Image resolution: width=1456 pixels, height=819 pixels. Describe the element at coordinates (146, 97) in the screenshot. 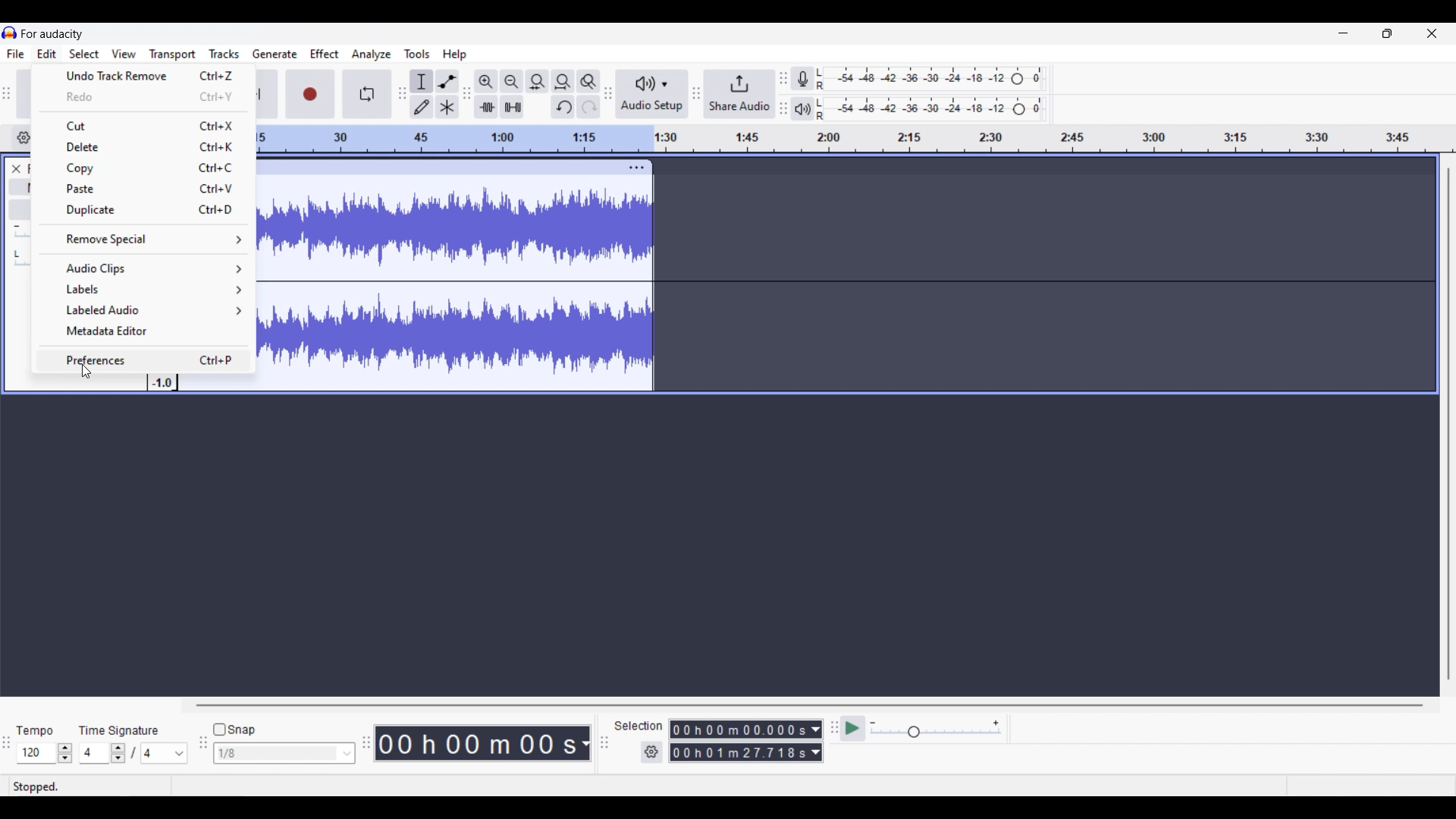

I see `Redo` at that location.